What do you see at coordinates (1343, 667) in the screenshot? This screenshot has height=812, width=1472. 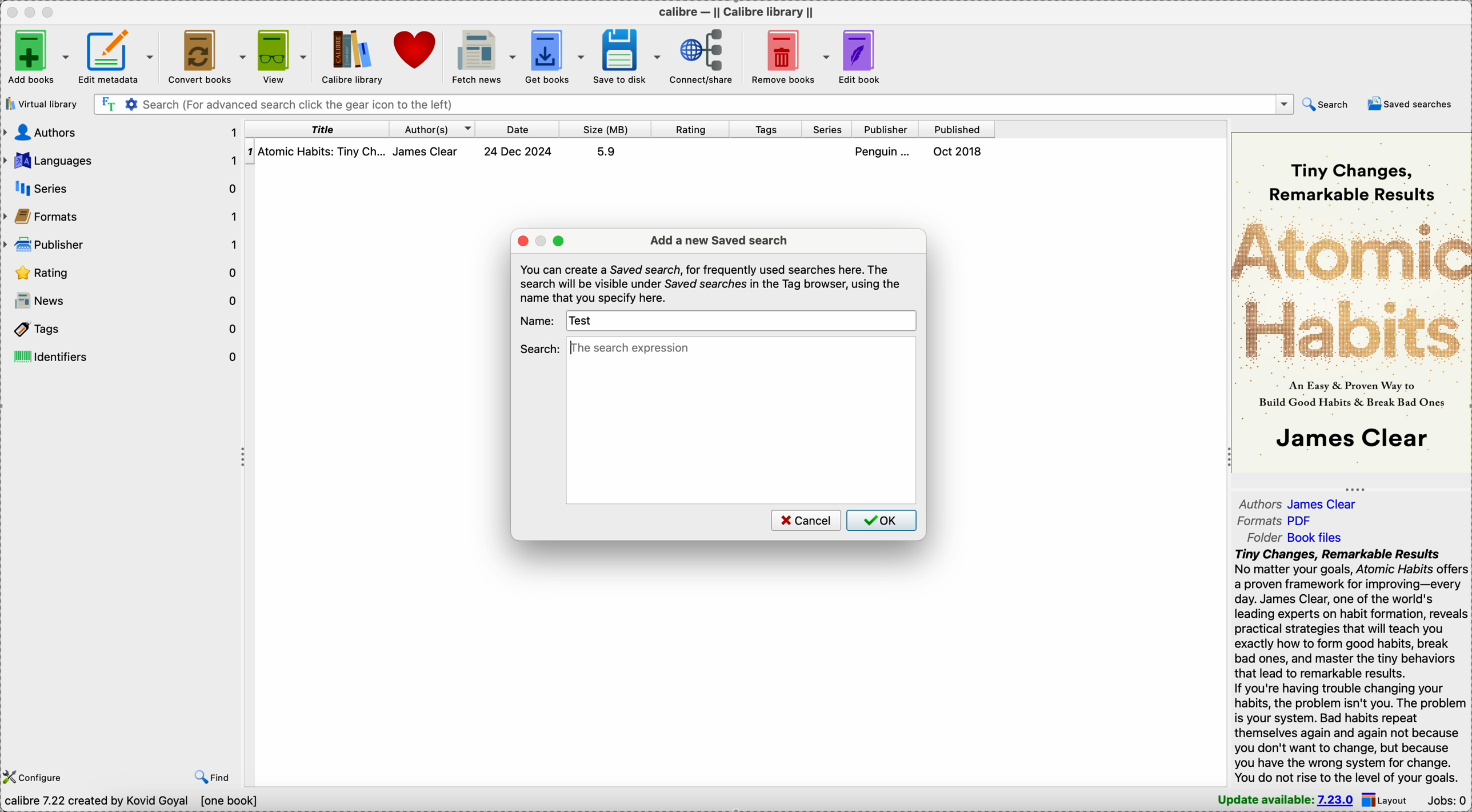 I see `Tiny Changes, Remarkable Results

No matter your goals, Atomic Habits offers
a proven framework for improving—every
day. James Clear, one of the world's
leading experts on habit formation, reveals
practical strategies that will teach you
exactly how to form good habits, break
bad ones, and master the tiny behaviors
that lead to remarkable results.

If you're having trouble changing your
habits, the problem isn't you. The problem
is your system. Bad habits repeat
themselves again and again not because
you don't want to change, but because
you have the wrong system for change.
You do not rise to the level of your goals.` at bounding box center [1343, 667].